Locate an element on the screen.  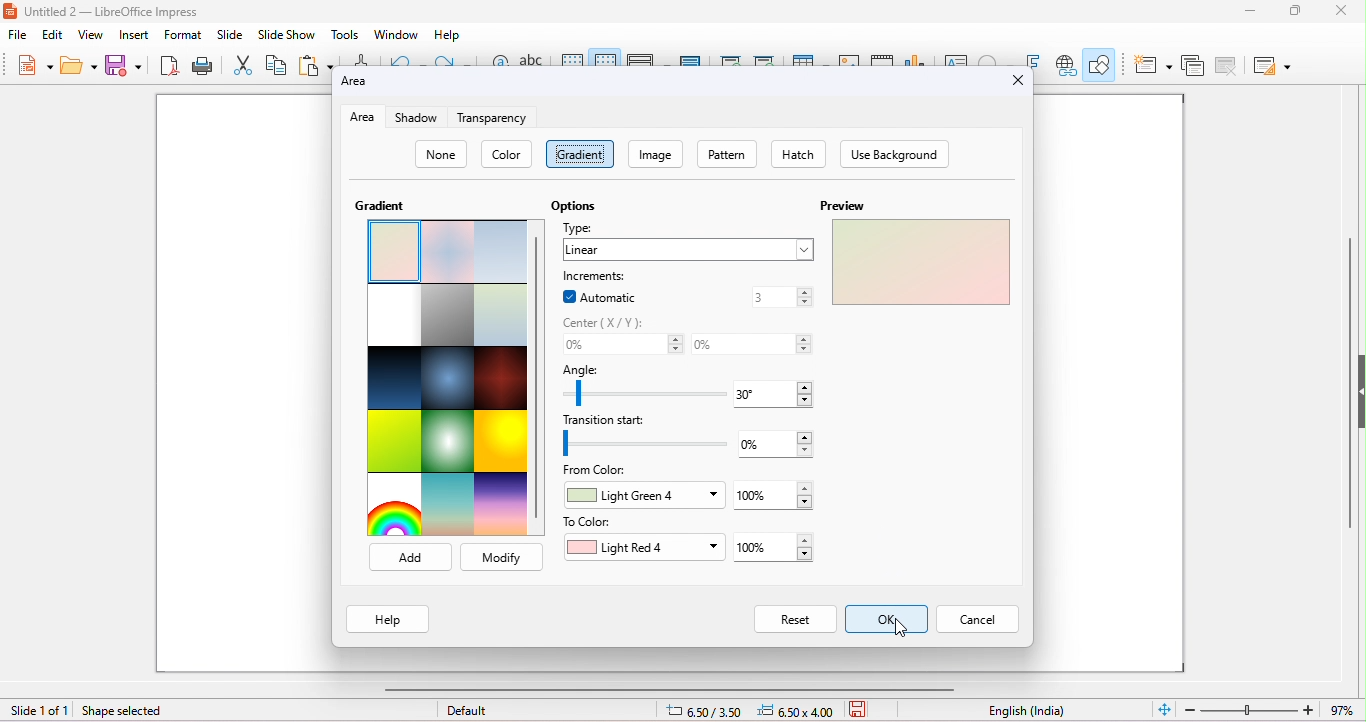
find and replace is located at coordinates (499, 59).